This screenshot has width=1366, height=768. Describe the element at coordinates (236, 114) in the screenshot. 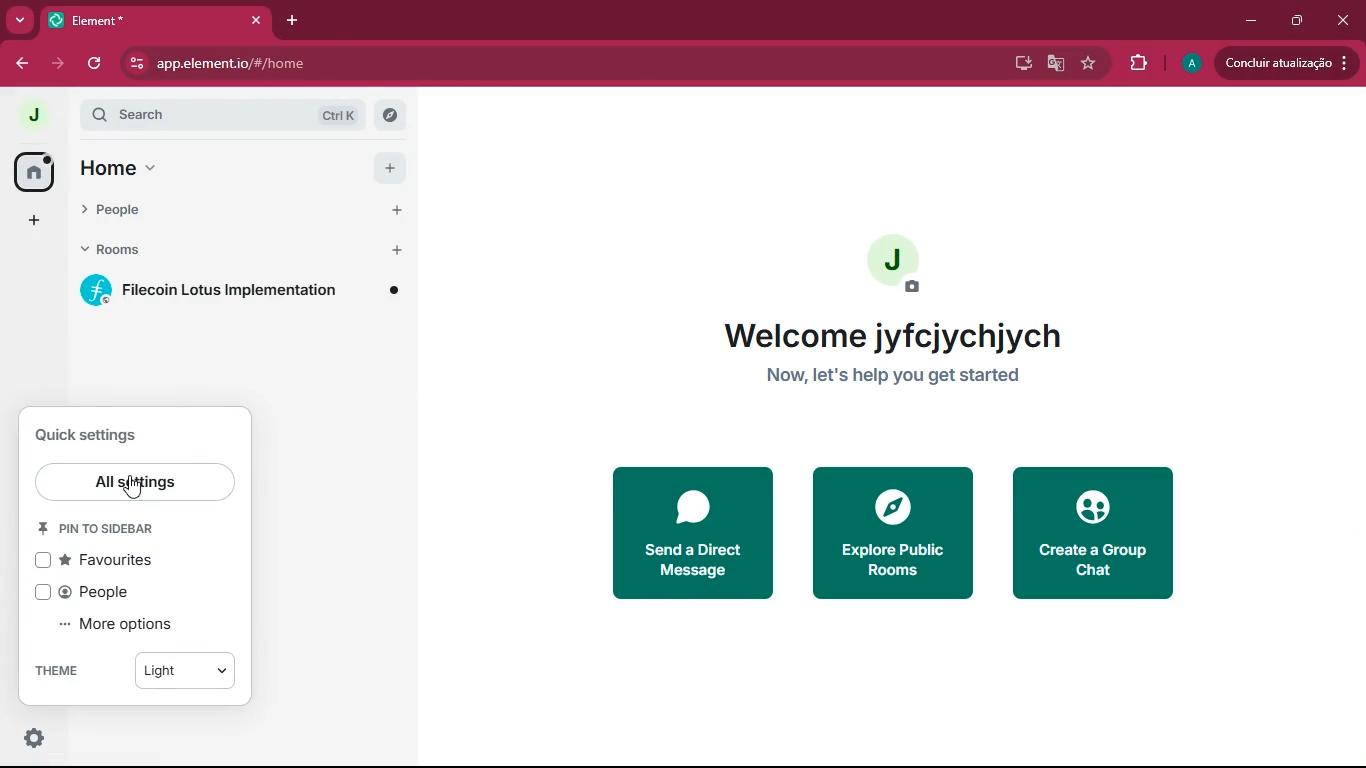

I see `search` at that location.